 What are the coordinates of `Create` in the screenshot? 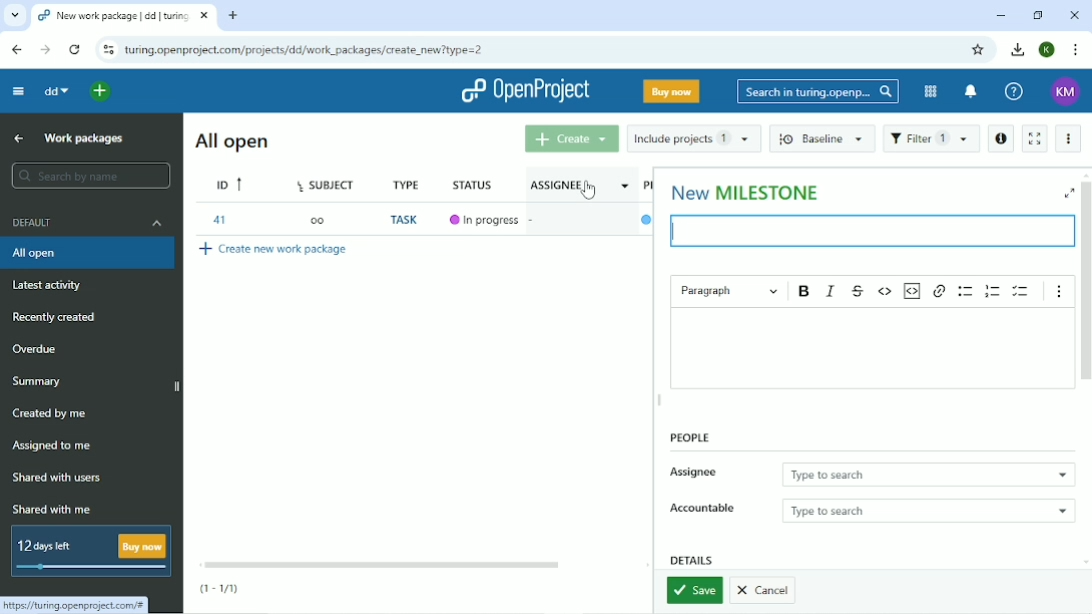 It's located at (570, 139).